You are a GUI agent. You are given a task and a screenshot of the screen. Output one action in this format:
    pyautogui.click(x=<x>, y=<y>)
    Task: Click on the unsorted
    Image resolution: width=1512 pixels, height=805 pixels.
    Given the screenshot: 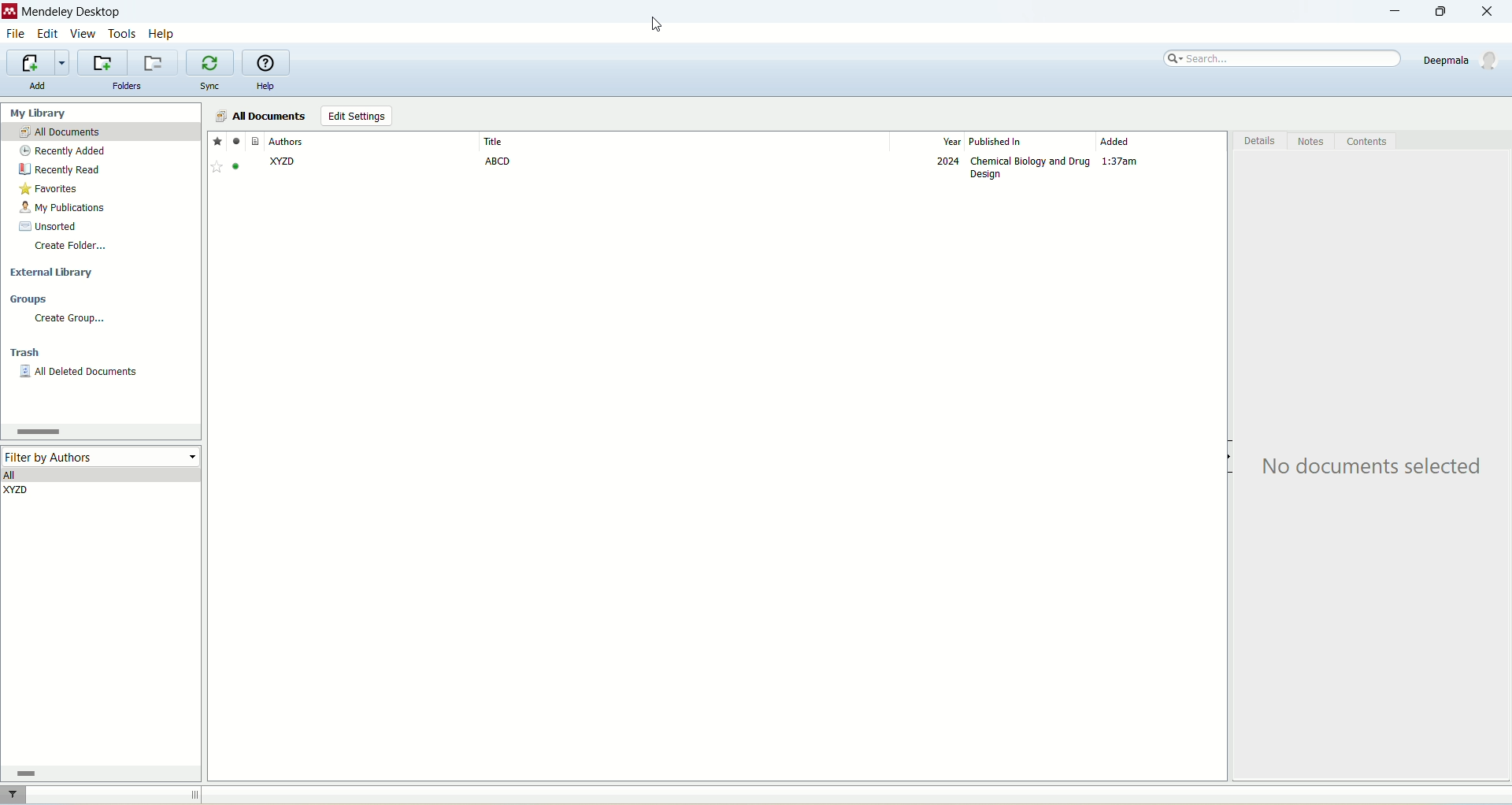 What is the action you would take?
    pyautogui.click(x=46, y=228)
    